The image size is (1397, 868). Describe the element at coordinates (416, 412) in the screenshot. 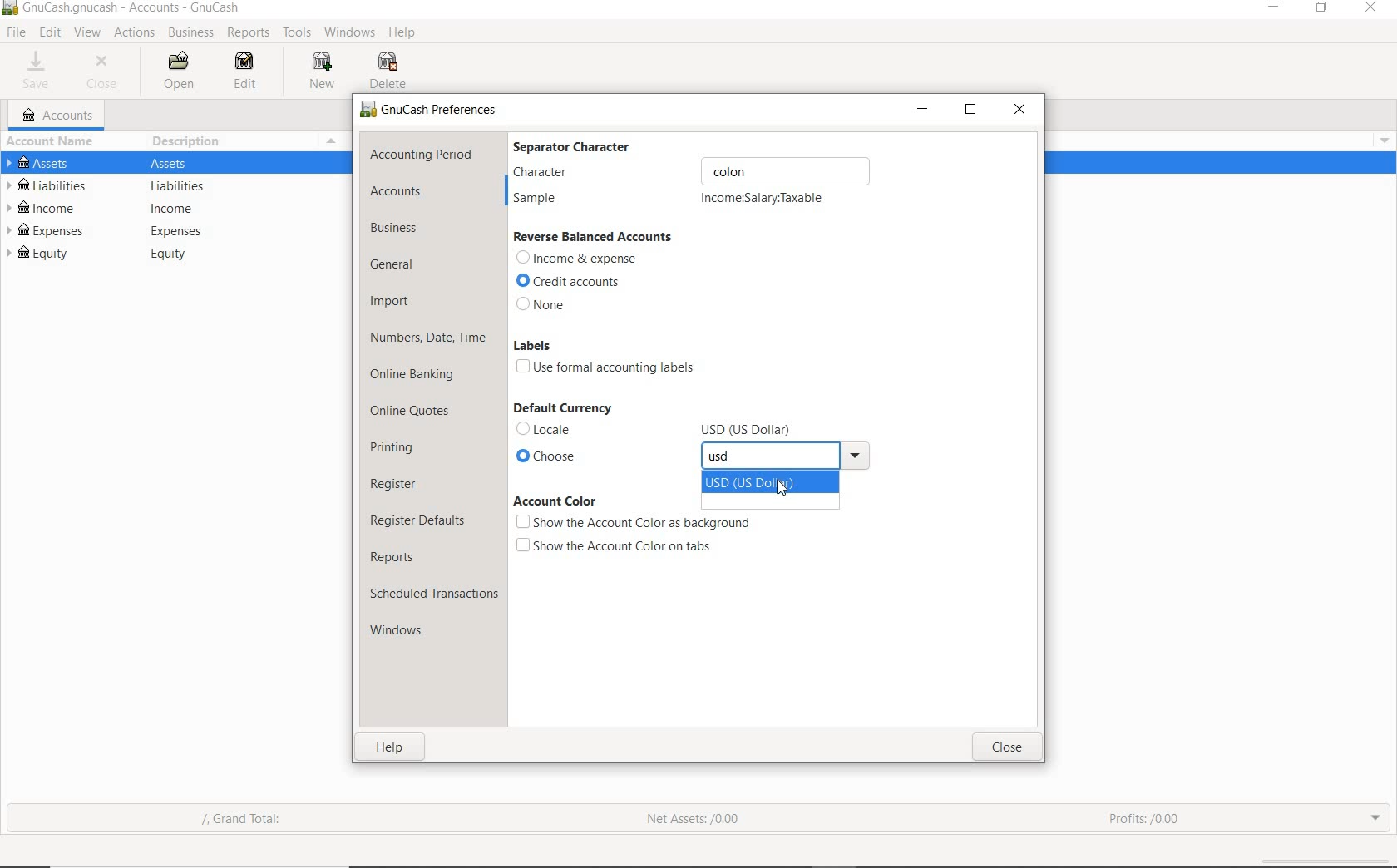

I see `online quotes` at that location.